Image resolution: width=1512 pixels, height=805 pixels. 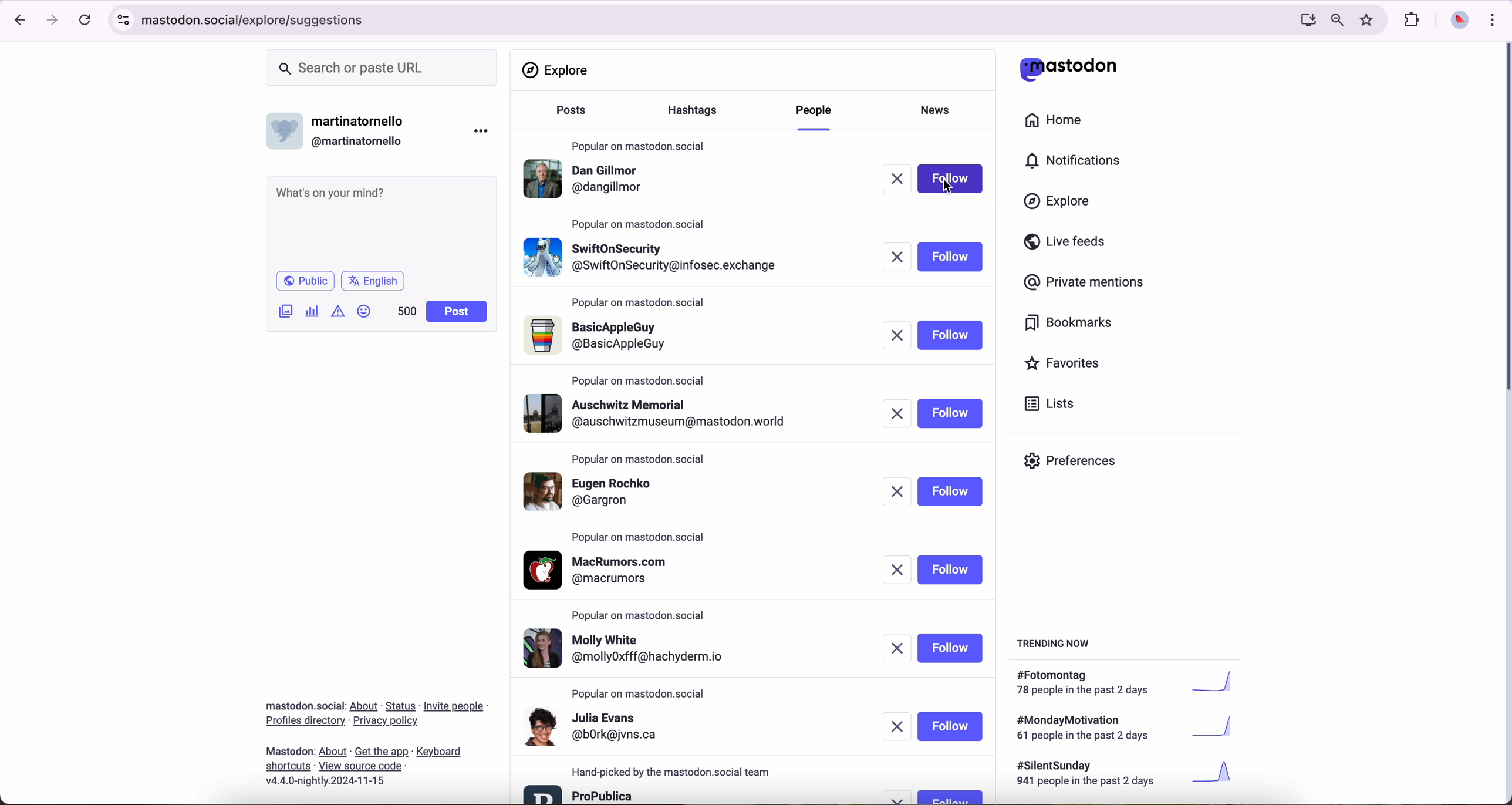 I want to click on hand-picked by the mastodon.social, so click(x=679, y=772).